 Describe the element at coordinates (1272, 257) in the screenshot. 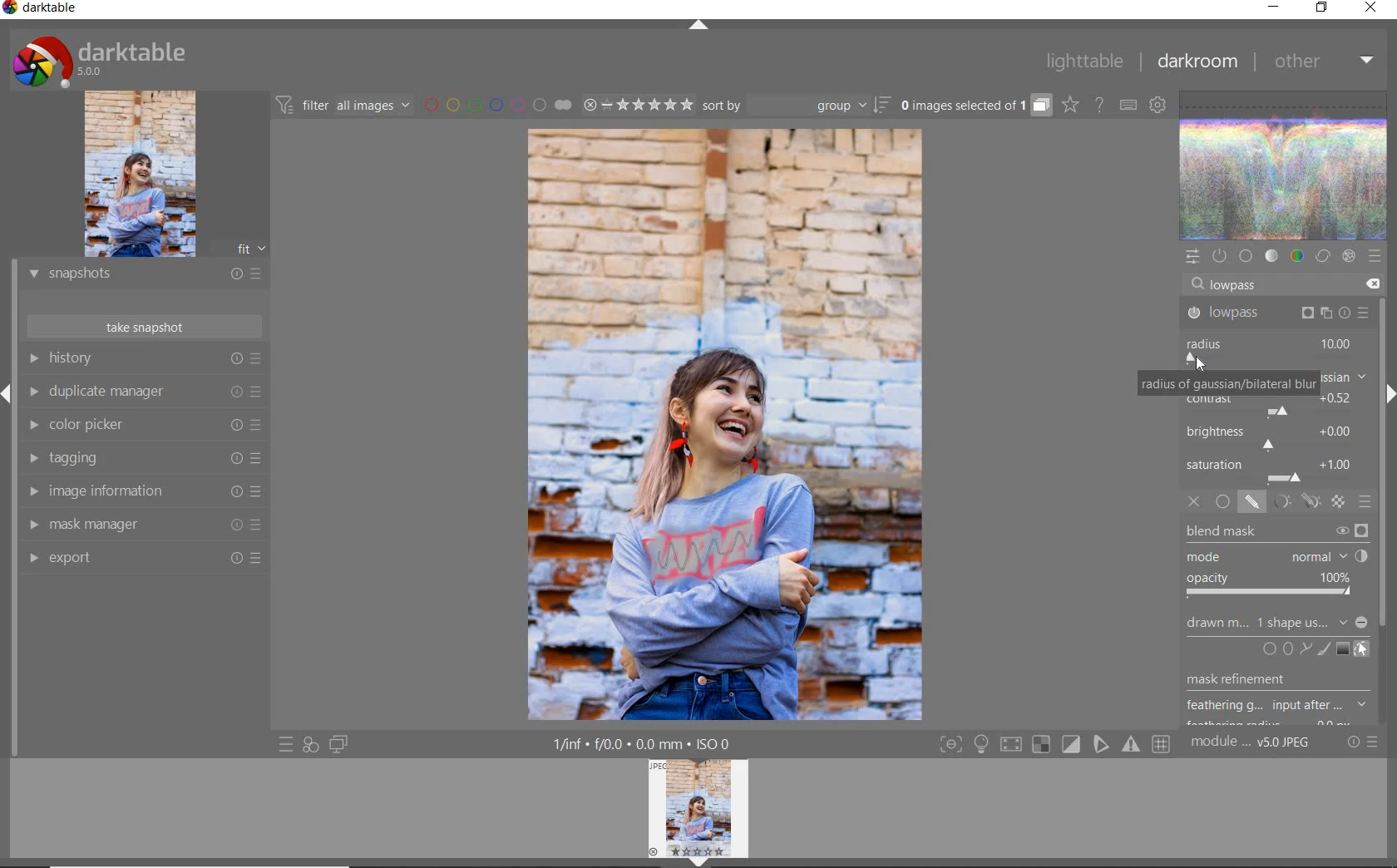

I see `tone` at that location.